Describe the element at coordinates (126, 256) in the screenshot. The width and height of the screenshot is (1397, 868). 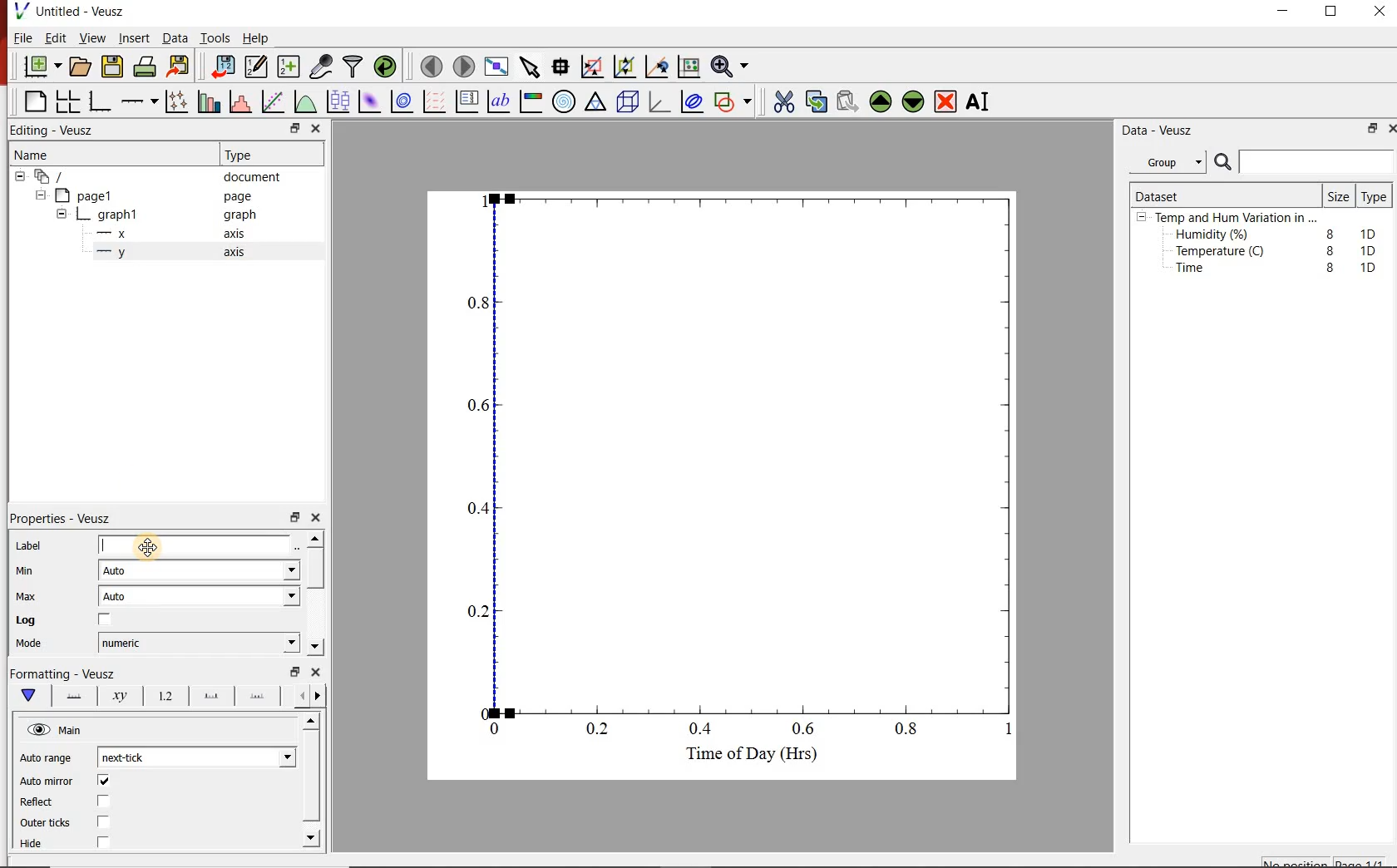
I see `y` at that location.